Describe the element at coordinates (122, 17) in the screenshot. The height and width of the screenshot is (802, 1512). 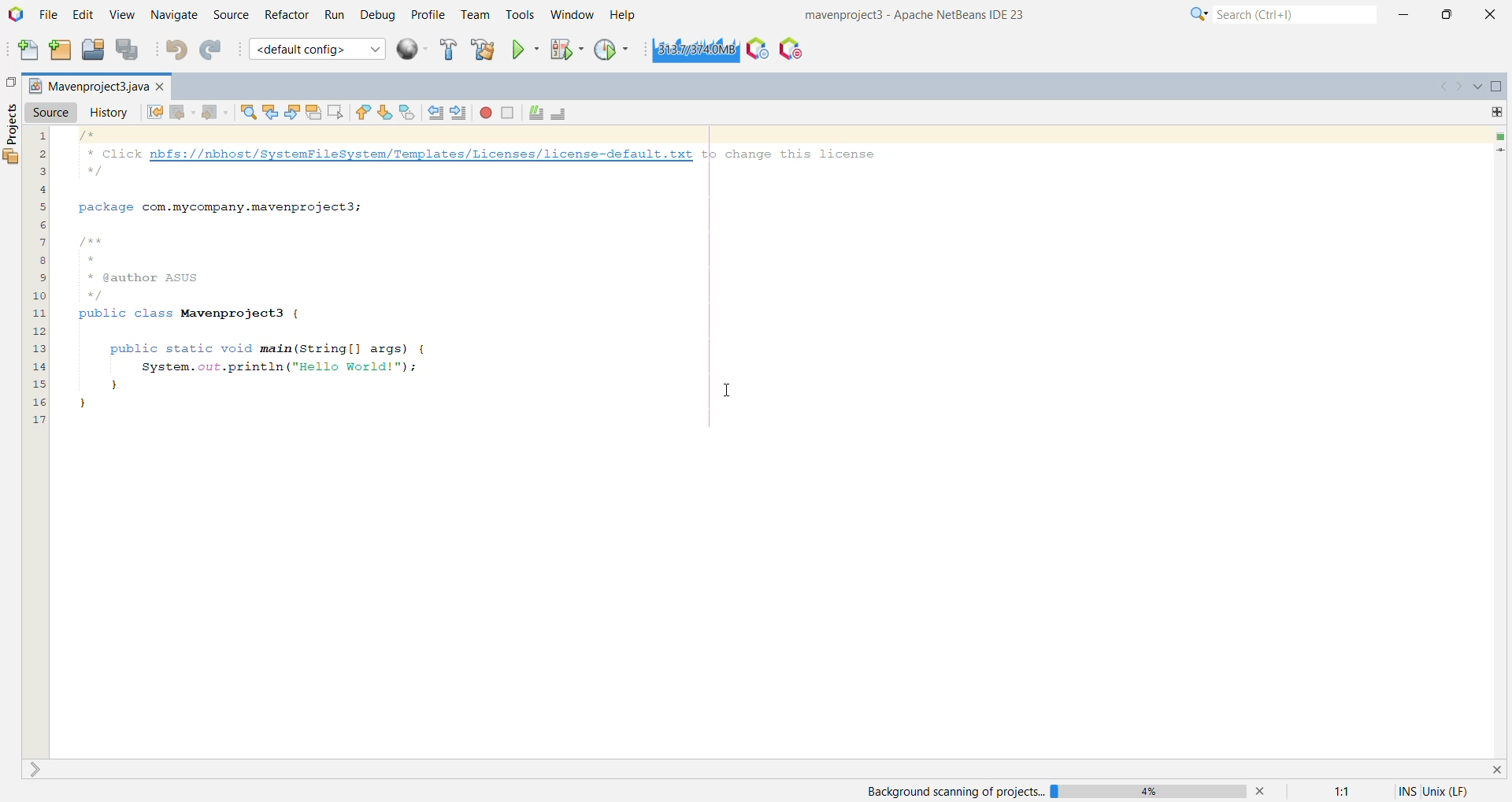
I see `View` at that location.